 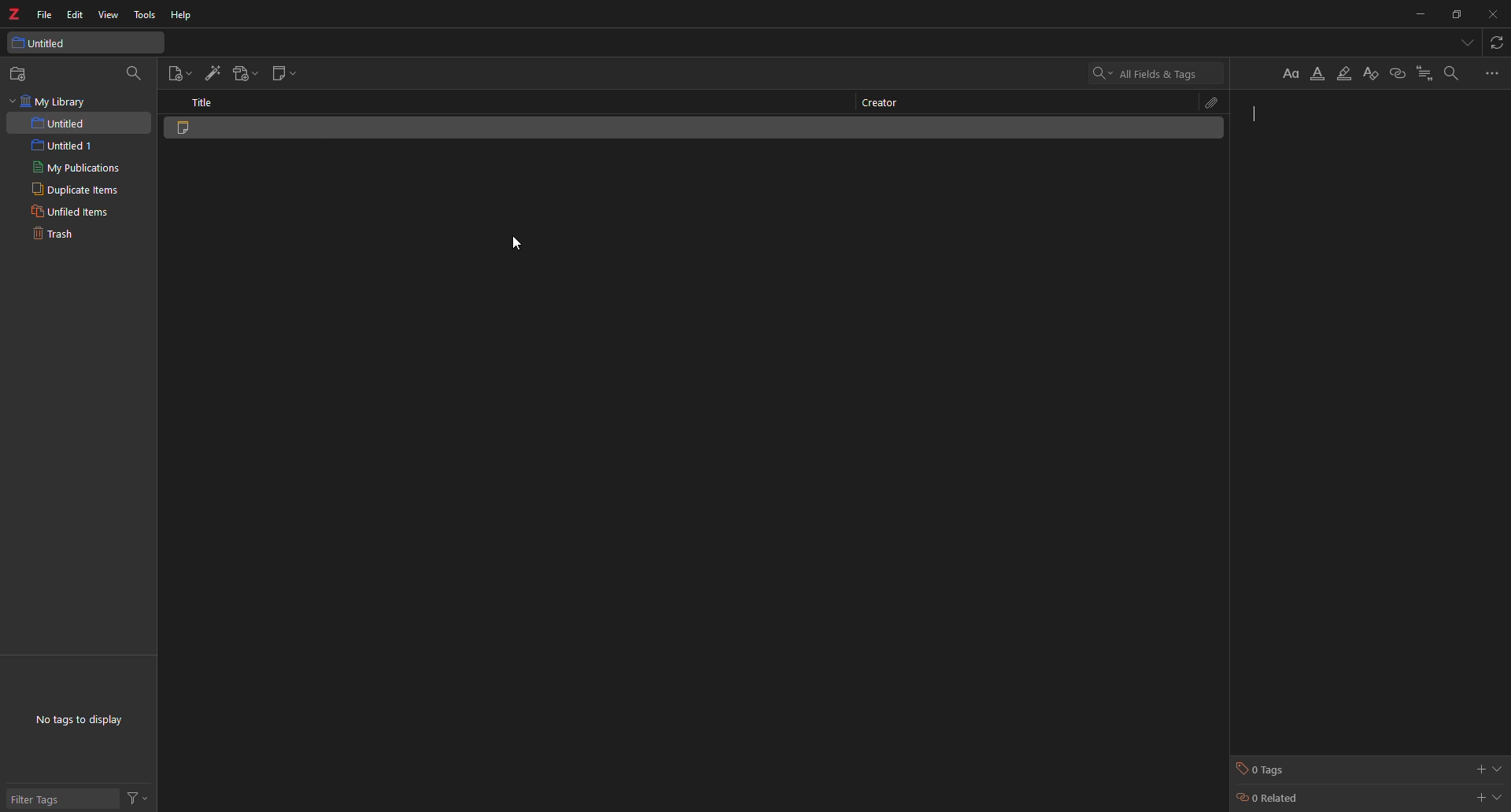 I want to click on 0 related, so click(x=1280, y=799).